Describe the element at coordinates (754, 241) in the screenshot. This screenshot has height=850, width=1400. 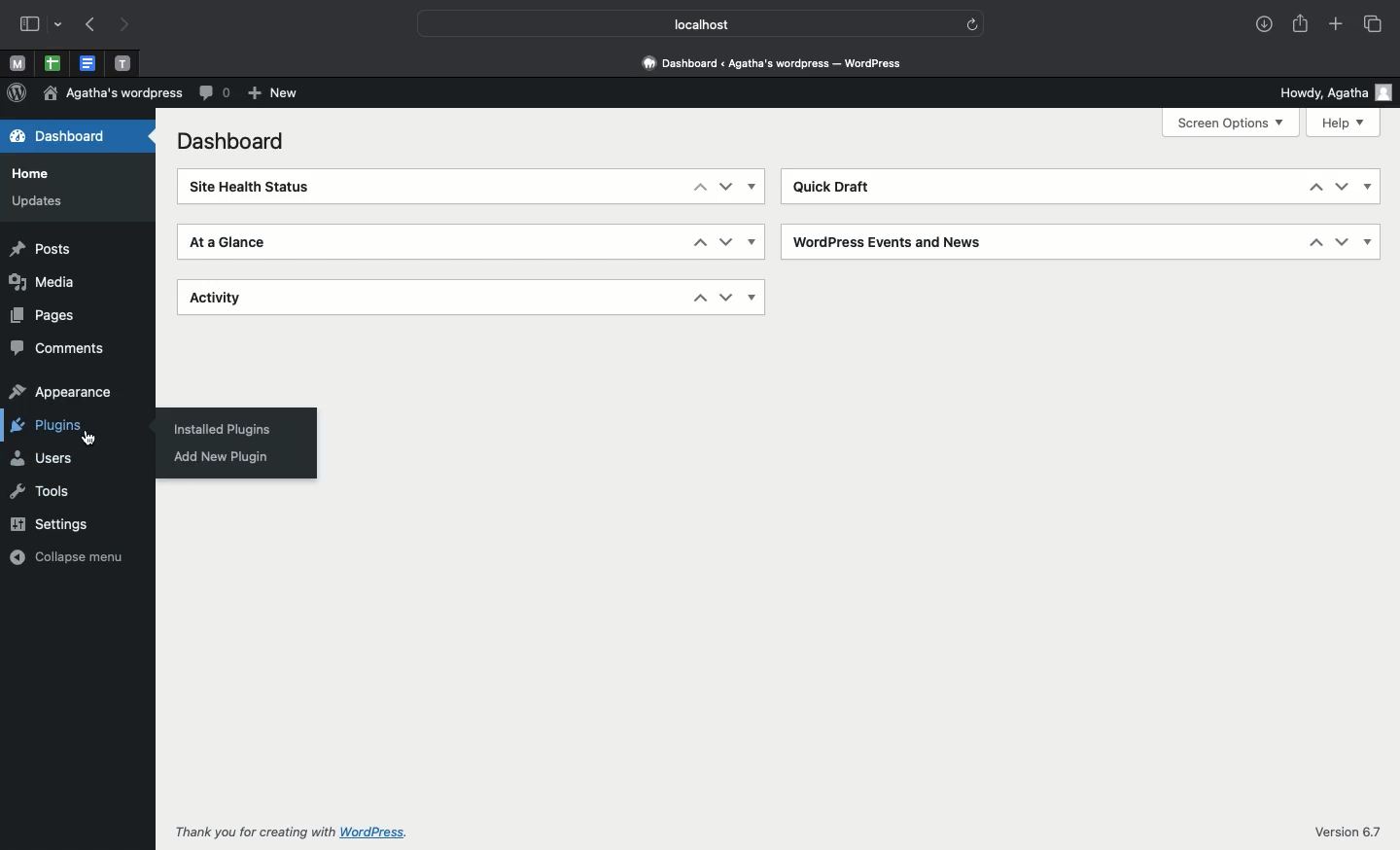
I see `Show` at that location.